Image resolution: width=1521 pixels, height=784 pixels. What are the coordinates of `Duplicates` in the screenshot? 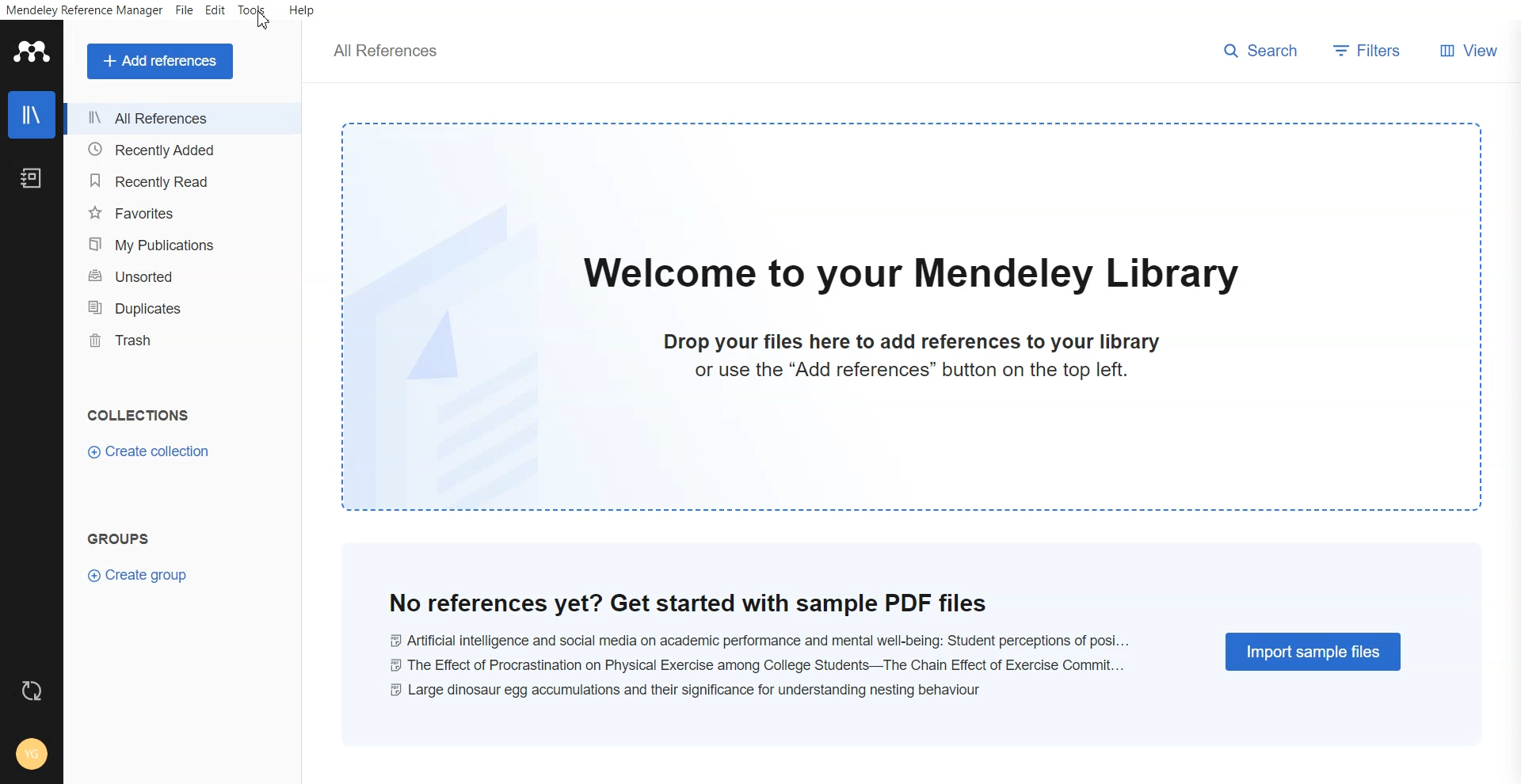 It's located at (182, 306).